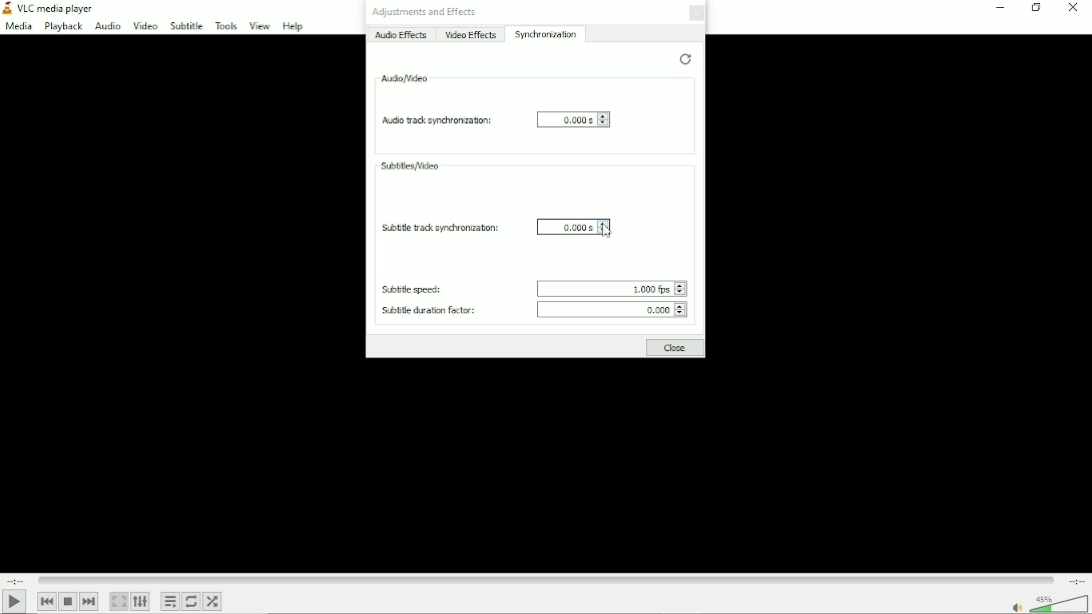 Image resolution: width=1092 pixels, height=614 pixels. What do you see at coordinates (437, 228) in the screenshot?
I see `Subtitle track synchronization` at bounding box center [437, 228].